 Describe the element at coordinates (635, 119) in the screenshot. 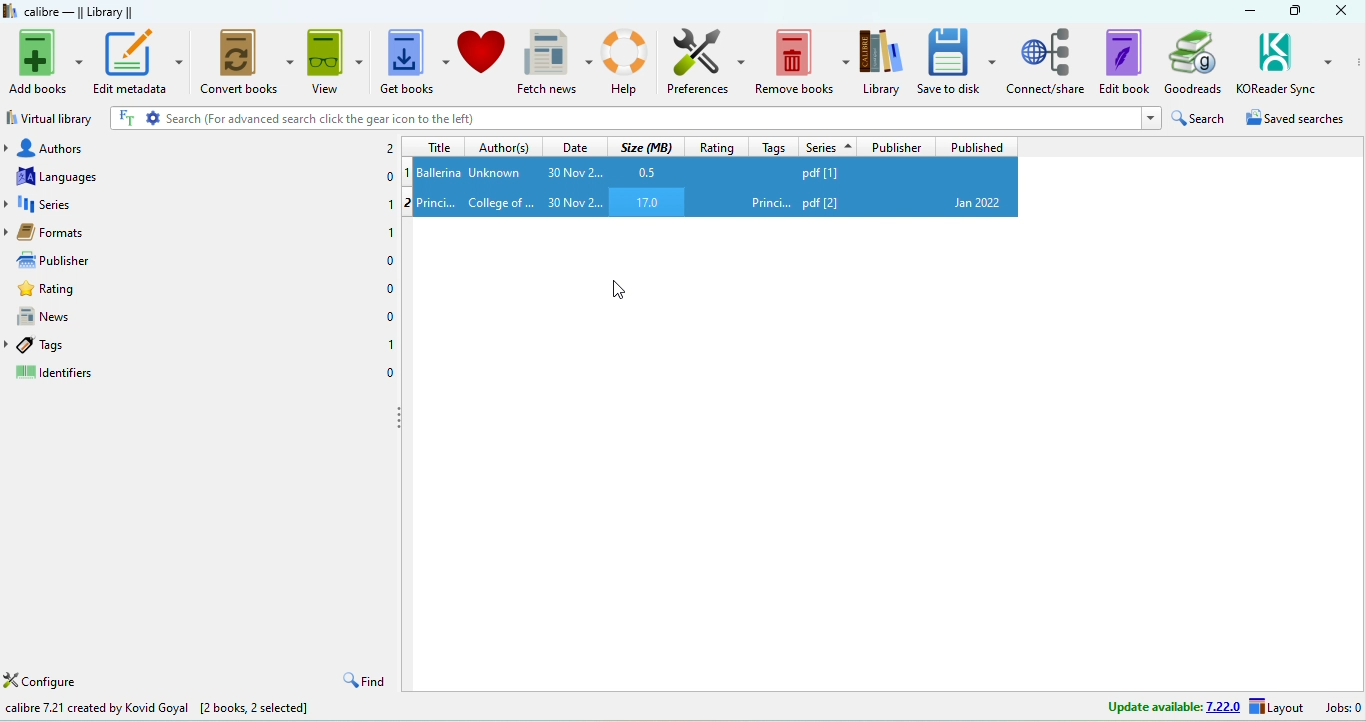

I see `search (for advanced search click the gear icon to the left)` at that location.